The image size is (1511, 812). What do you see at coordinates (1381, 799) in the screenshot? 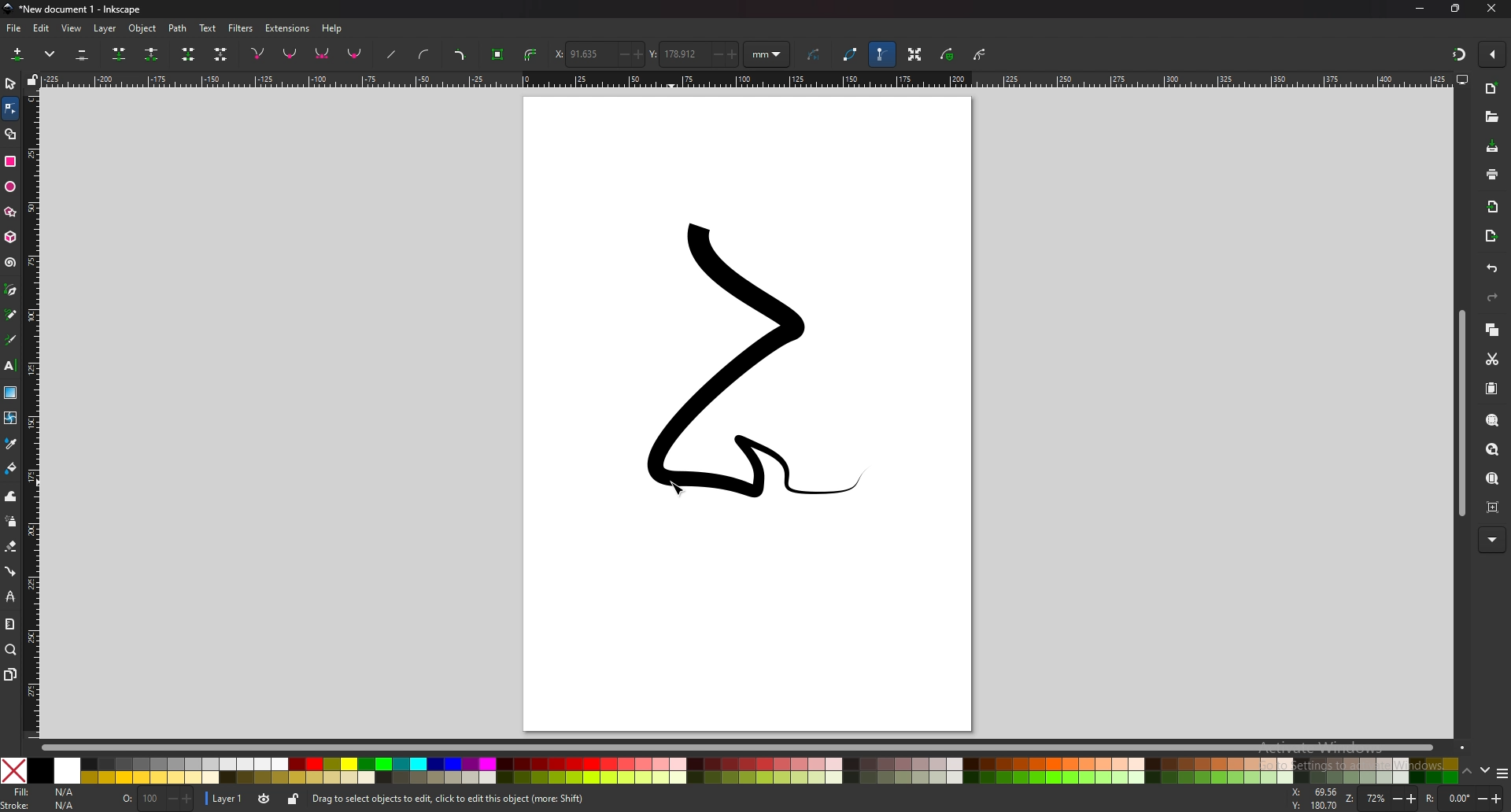
I see `zoom` at bounding box center [1381, 799].